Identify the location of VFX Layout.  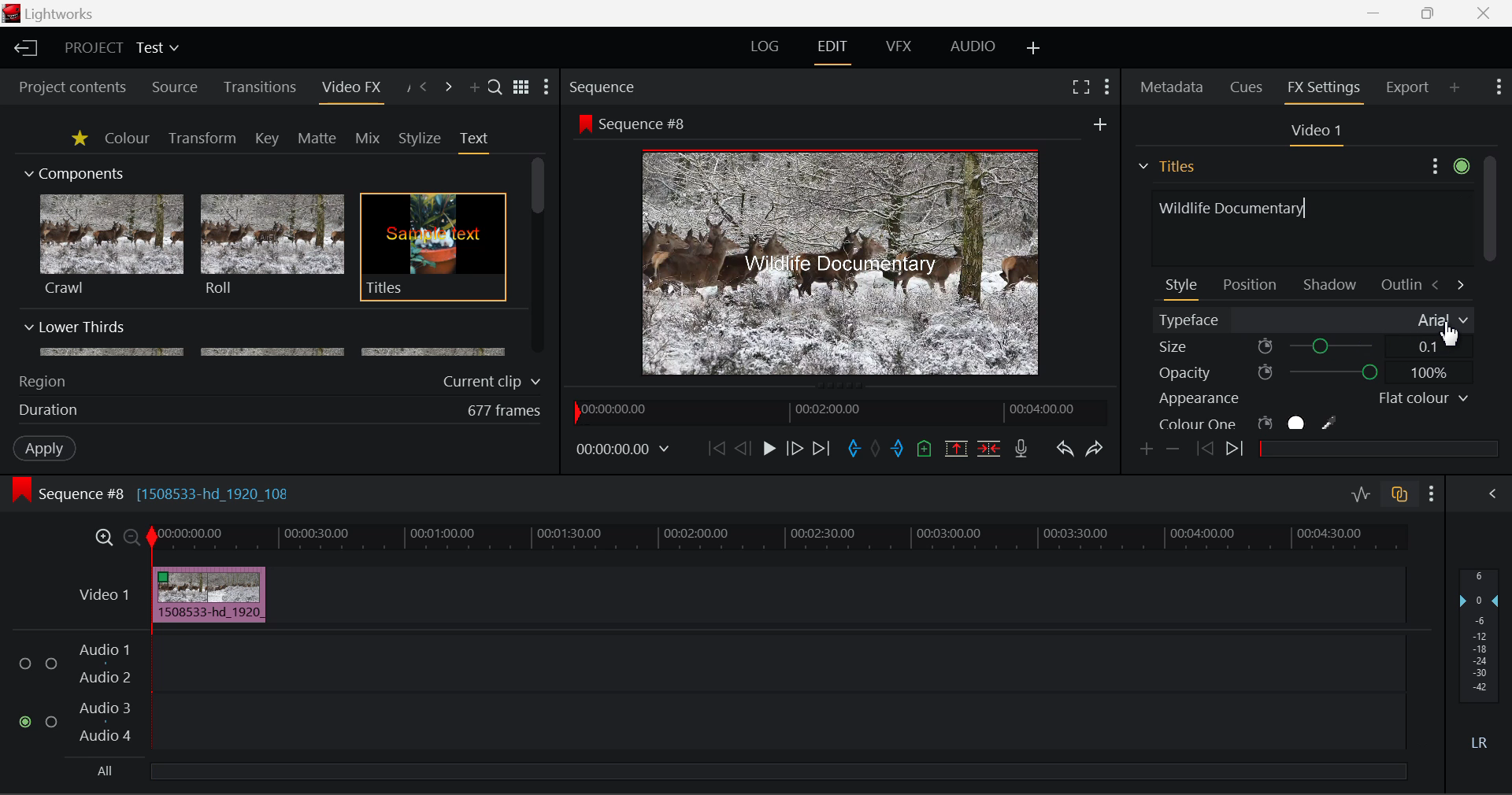
(898, 46).